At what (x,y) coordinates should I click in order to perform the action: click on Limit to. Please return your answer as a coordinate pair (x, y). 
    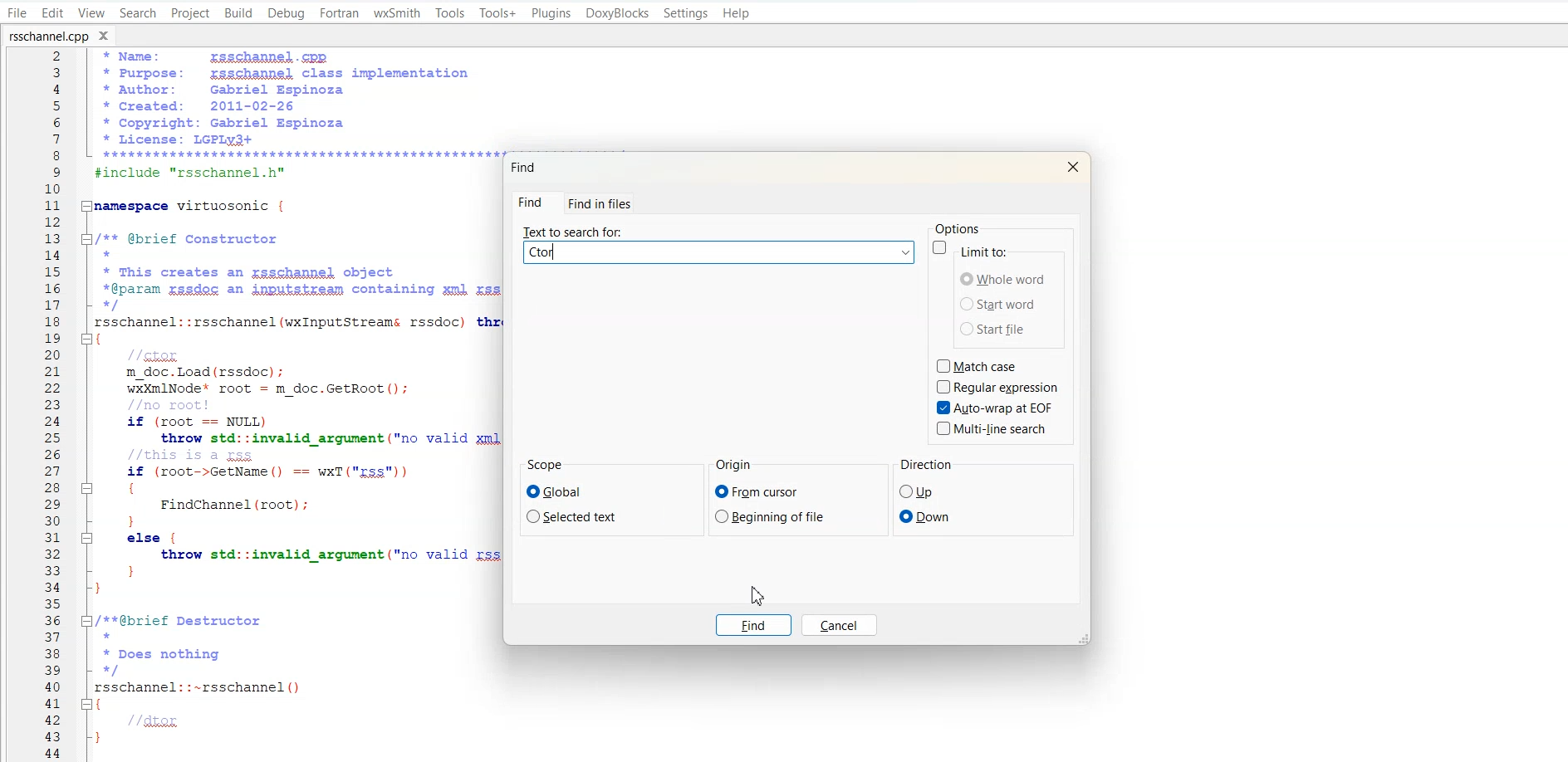
    Looking at the image, I should click on (989, 249).